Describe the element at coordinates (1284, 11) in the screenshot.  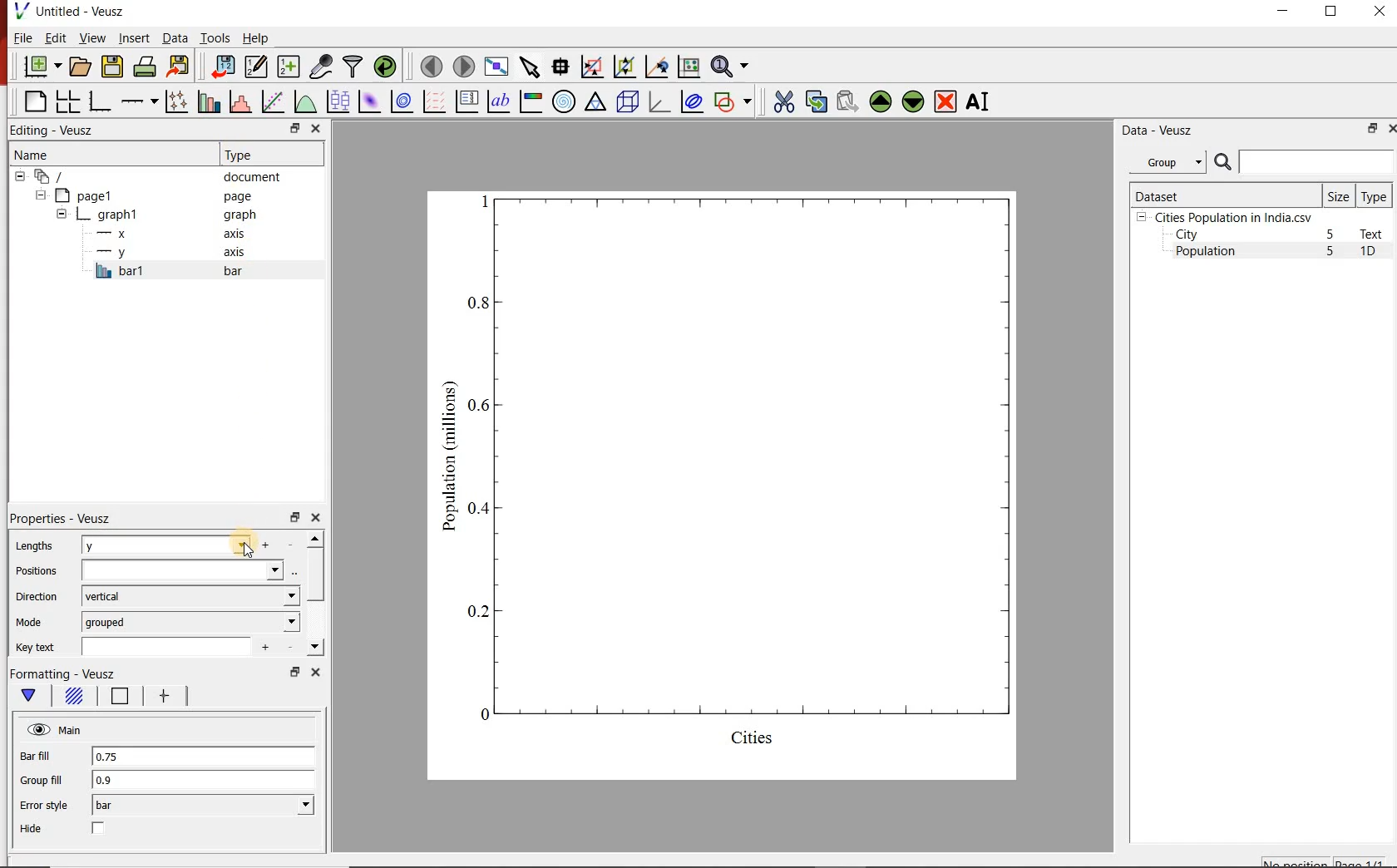
I see `MINIMIZE` at that location.